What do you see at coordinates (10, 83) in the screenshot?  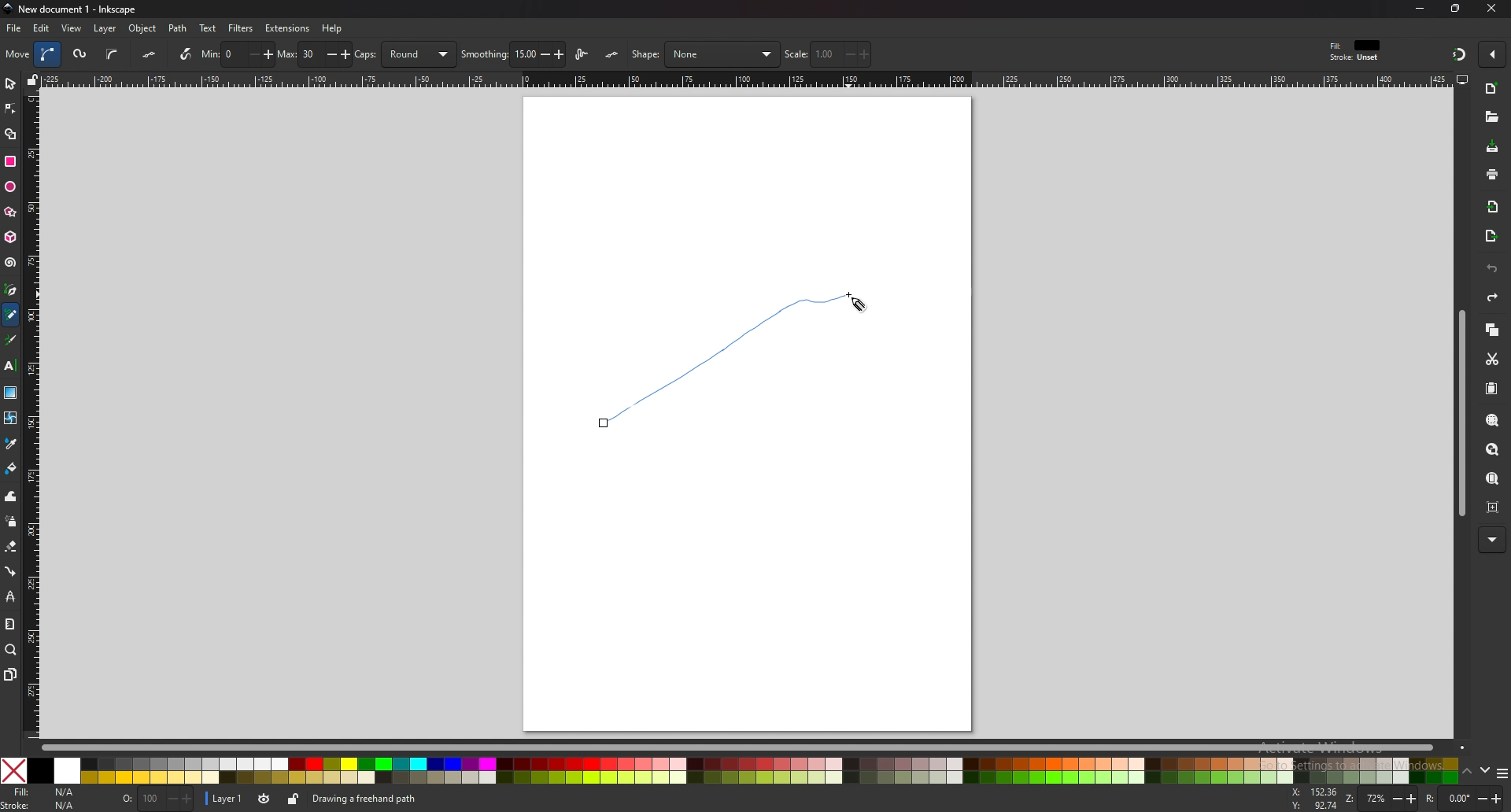 I see `selector` at bounding box center [10, 83].